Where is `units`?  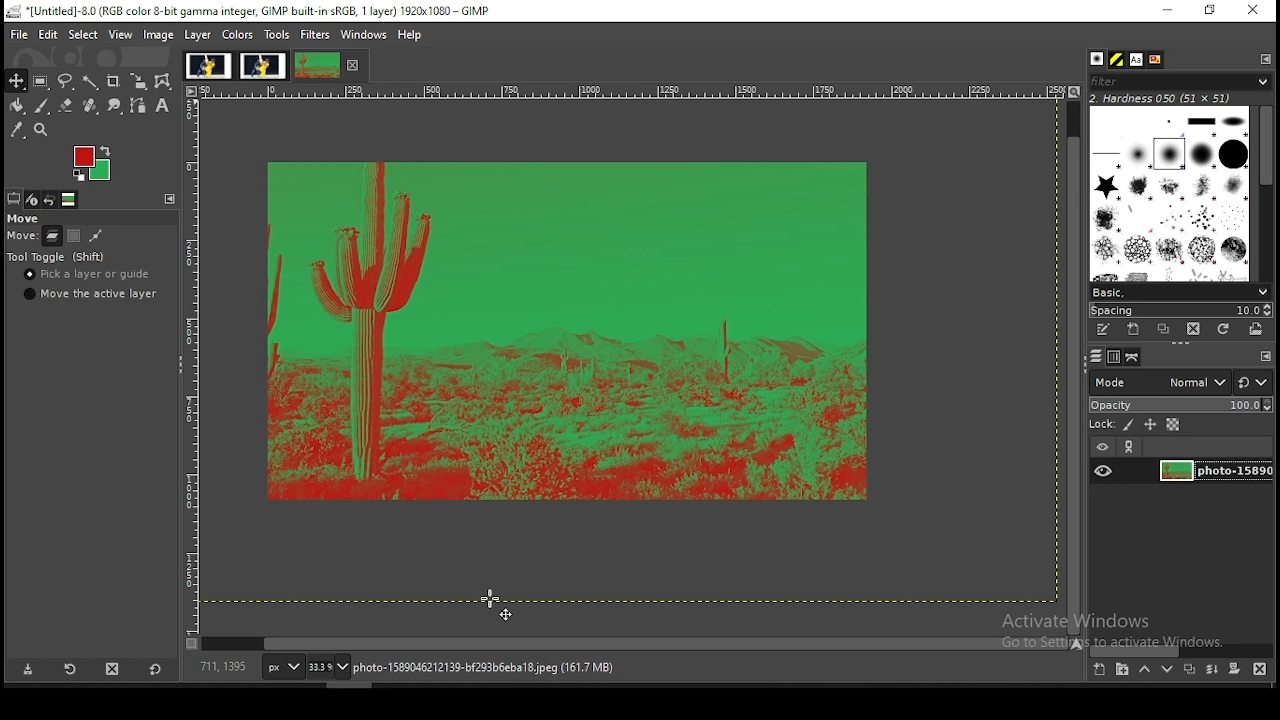
units is located at coordinates (280, 666).